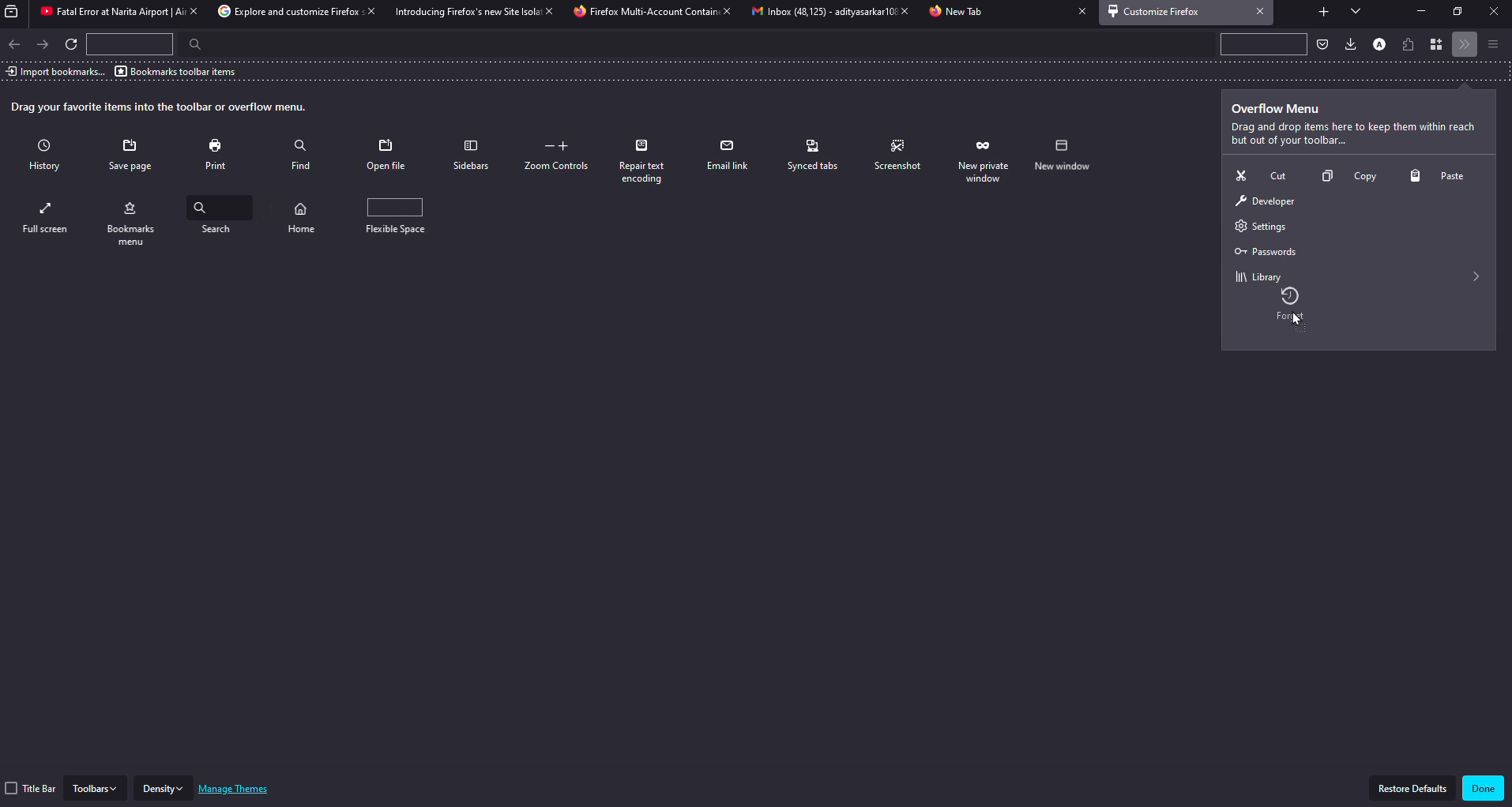 The width and height of the screenshot is (1512, 807). I want to click on close, so click(1261, 11).